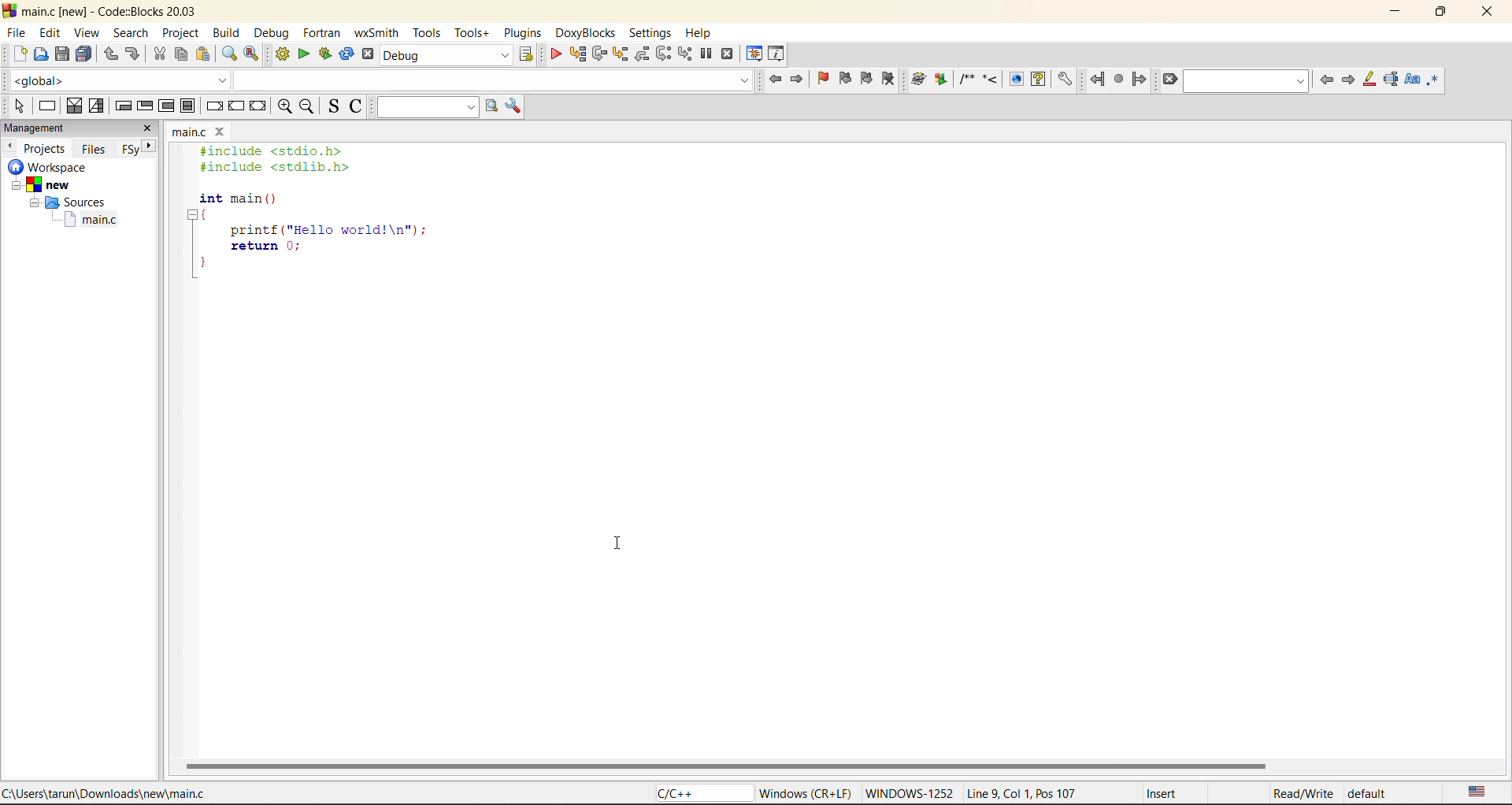  What do you see at coordinates (941, 80) in the screenshot?
I see `Extract documentation for the current project` at bounding box center [941, 80].